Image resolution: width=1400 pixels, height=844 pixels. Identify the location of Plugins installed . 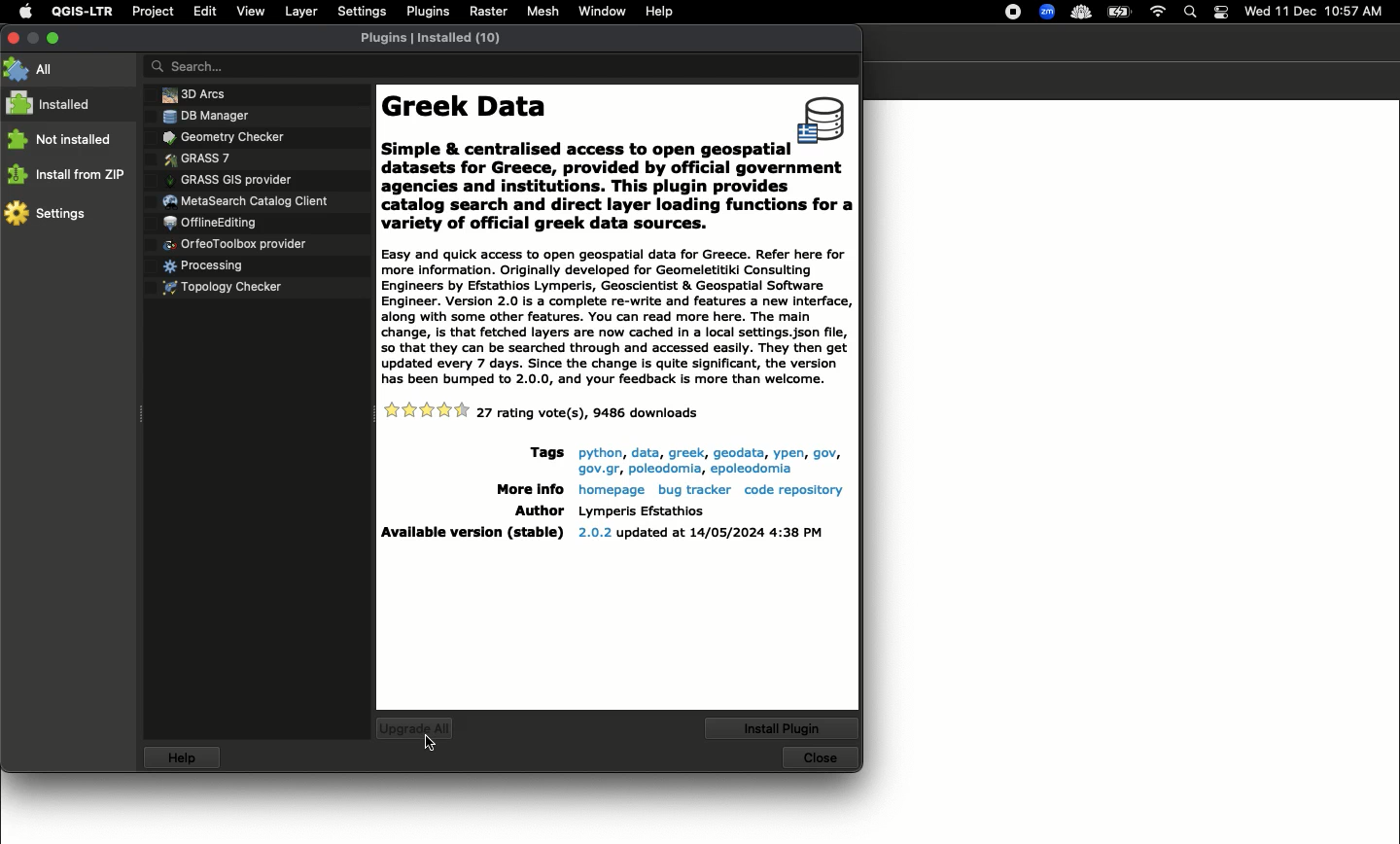
(433, 38).